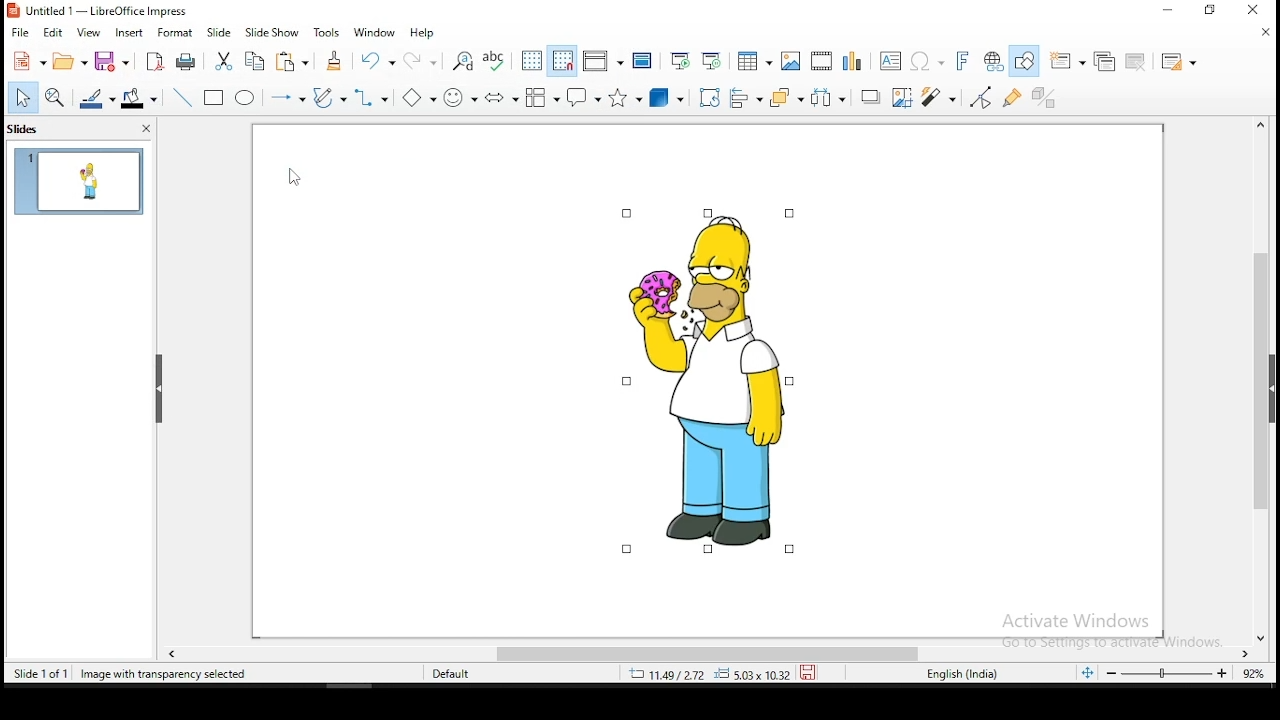 Image resolution: width=1280 pixels, height=720 pixels. I want to click on insert special characters, so click(927, 58).